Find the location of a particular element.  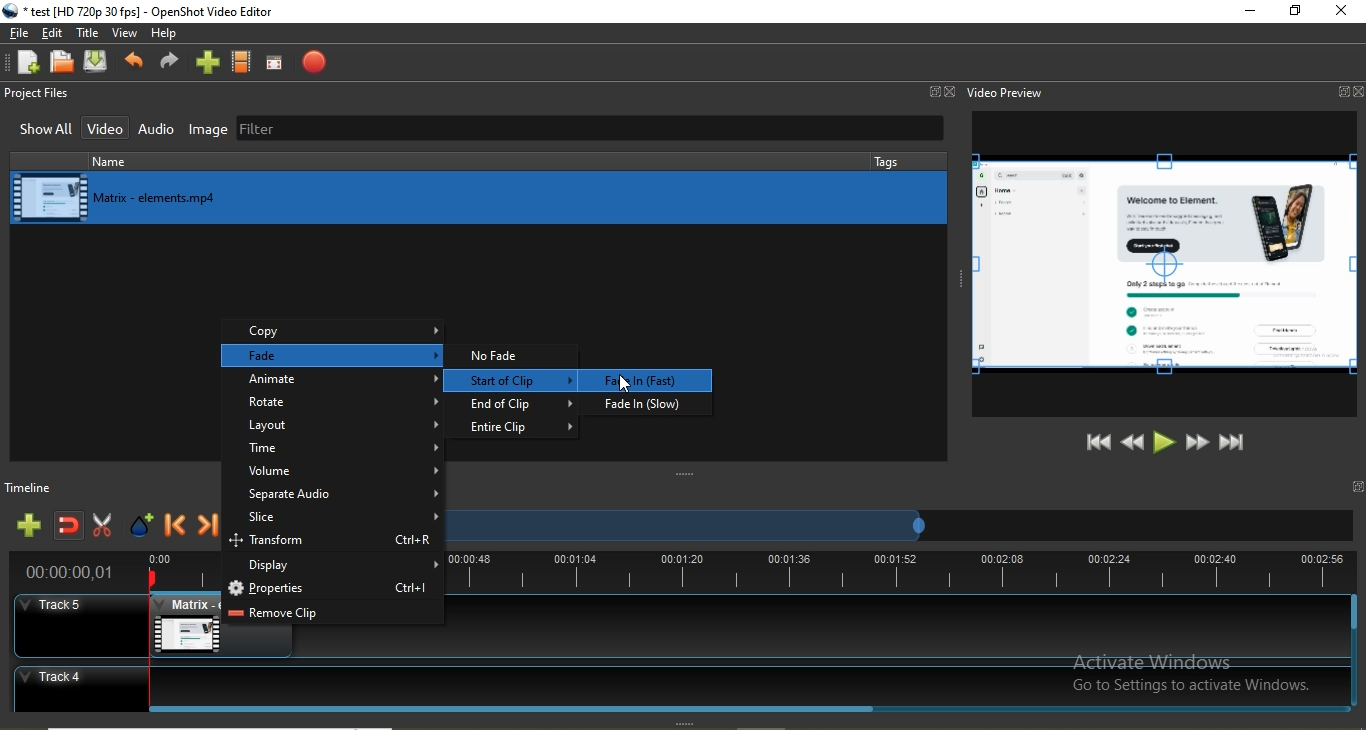

start of clip is located at coordinates (512, 380).